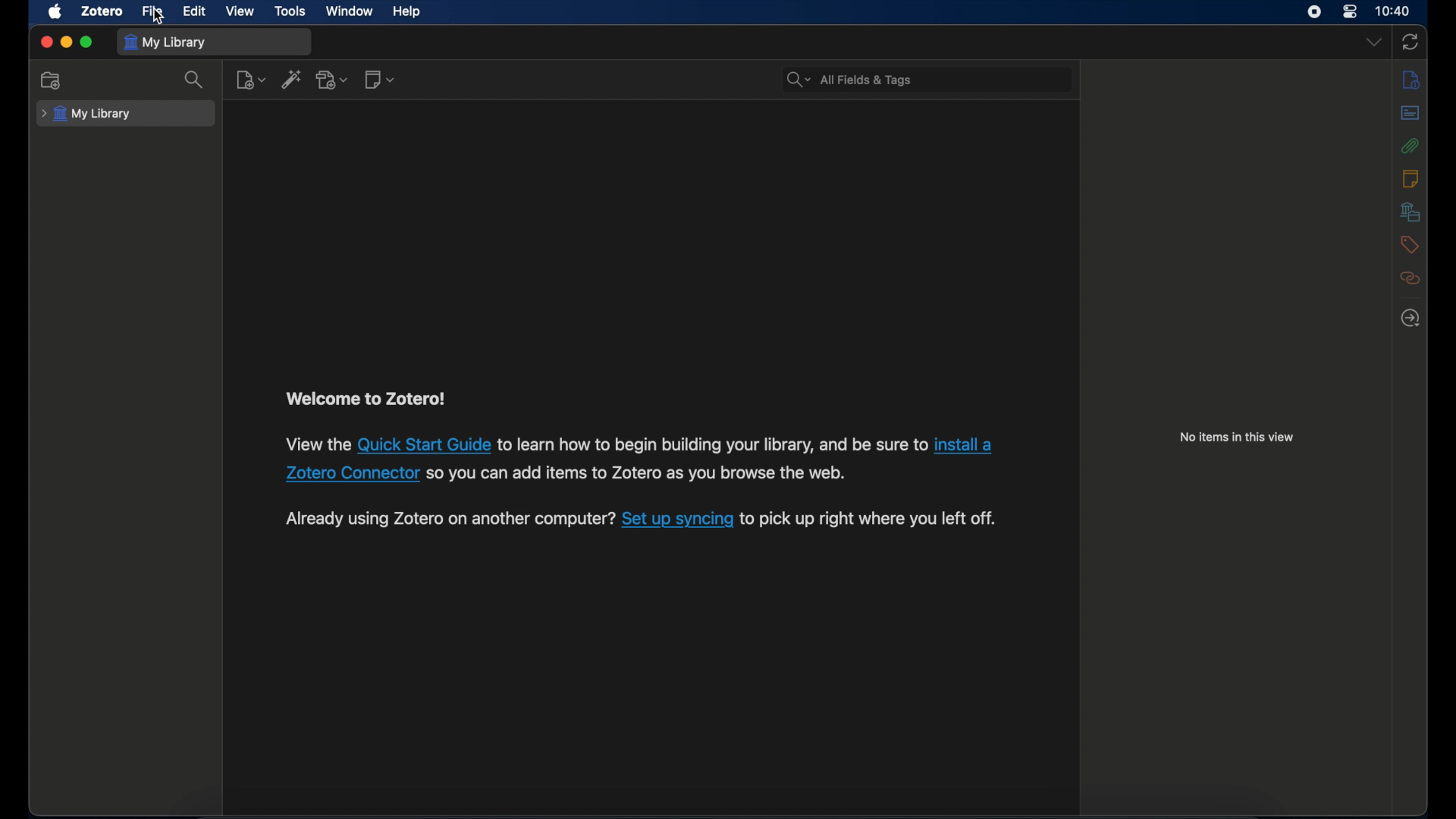 Image resolution: width=1456 pixels, height=819 pixels. Describe the element at coordinates (406, 12) in the screenshot. I see `help` at that location.